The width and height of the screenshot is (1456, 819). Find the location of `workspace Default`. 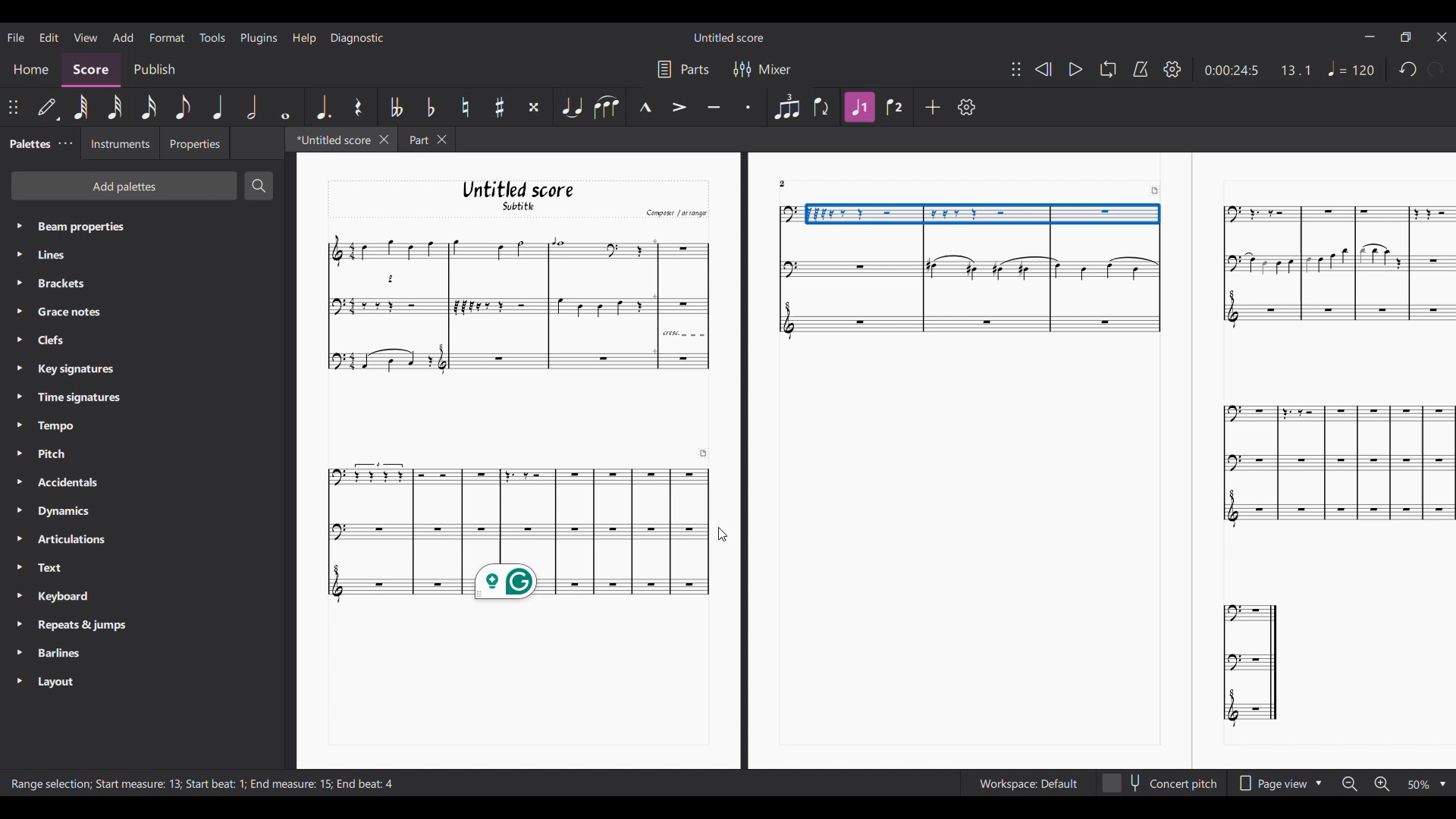

workspace Default is located at coordinates (1025, 784).